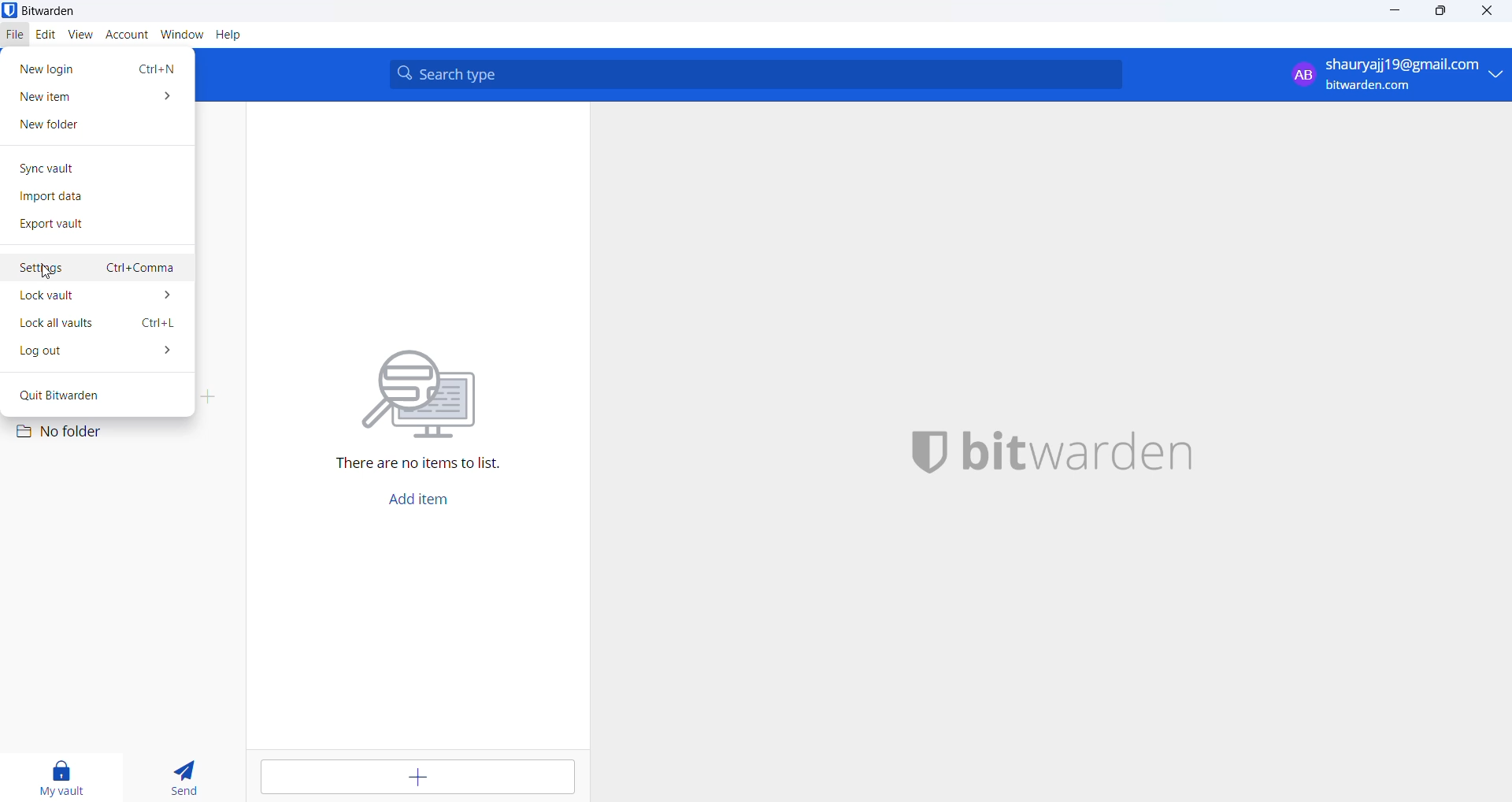  What do you see at coordinates (1299, 73) in the screenshot?
I see `AB` at bounding box center [1299, 73].